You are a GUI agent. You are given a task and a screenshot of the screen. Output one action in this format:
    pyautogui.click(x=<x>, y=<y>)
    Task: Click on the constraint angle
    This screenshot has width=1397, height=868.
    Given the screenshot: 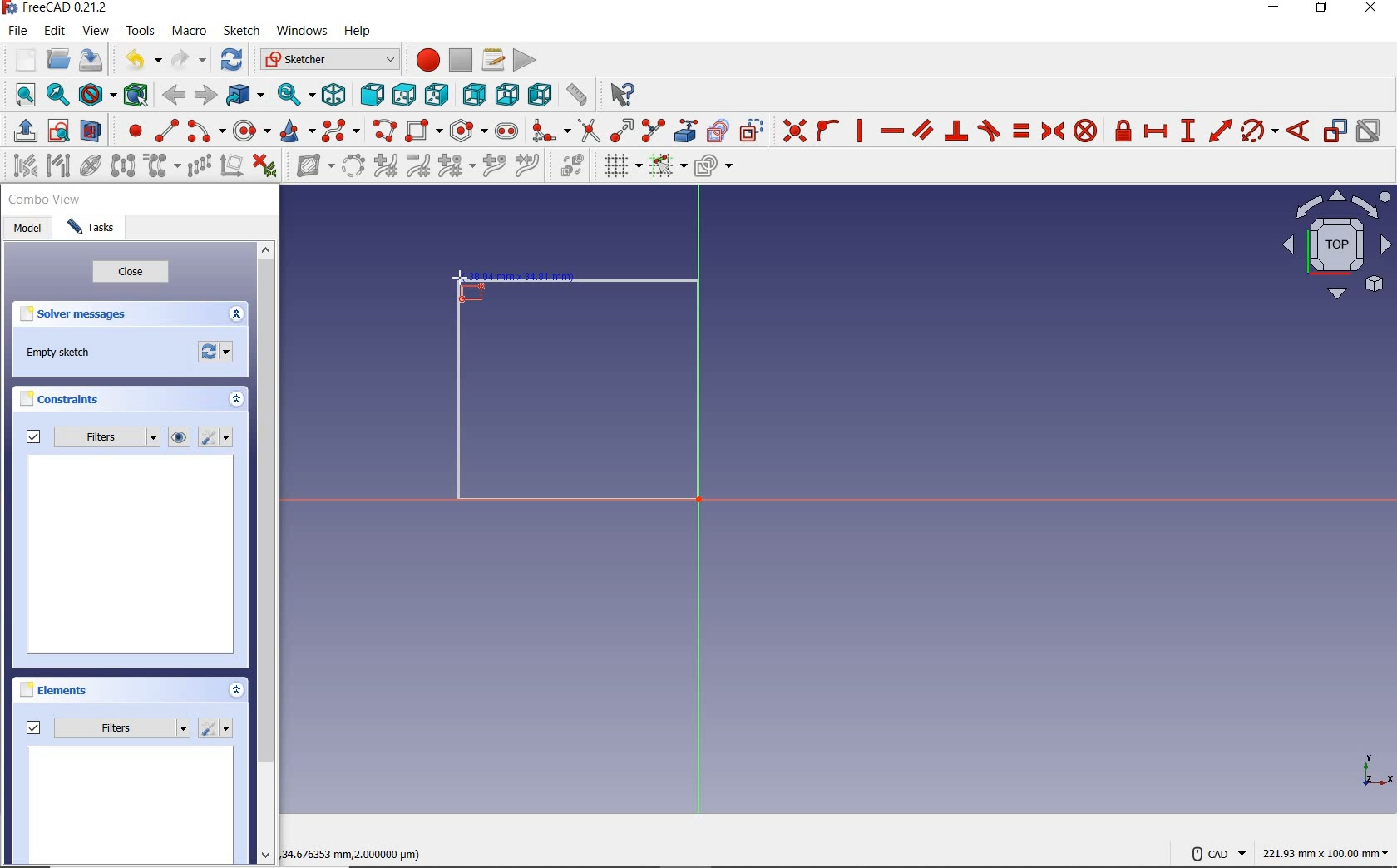 What is the action you would take?
    pyautogui.click(x=1299, y=130)
    